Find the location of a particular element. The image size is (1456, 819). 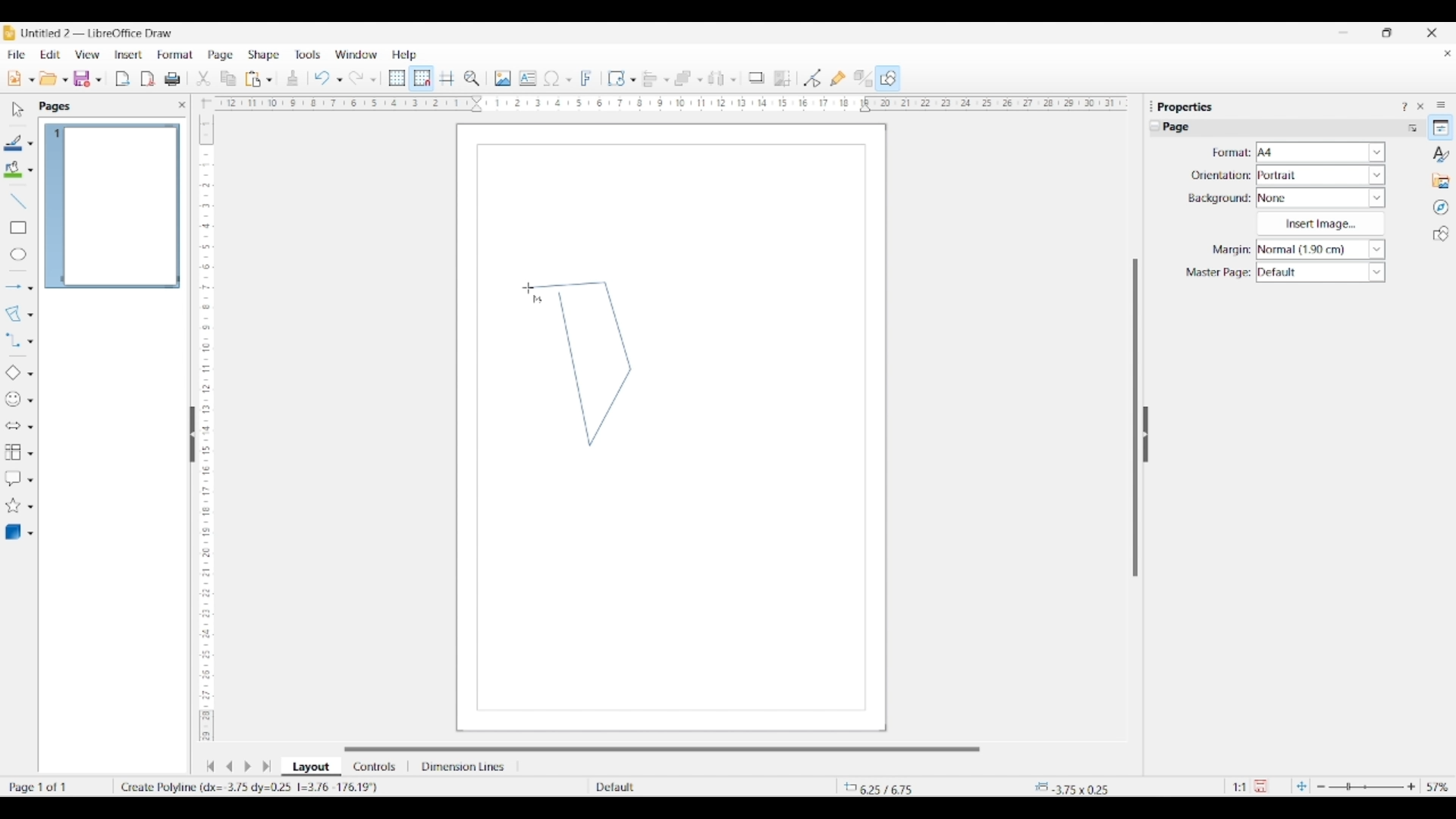

Symbol shape options is located at coordinates (30, 400).